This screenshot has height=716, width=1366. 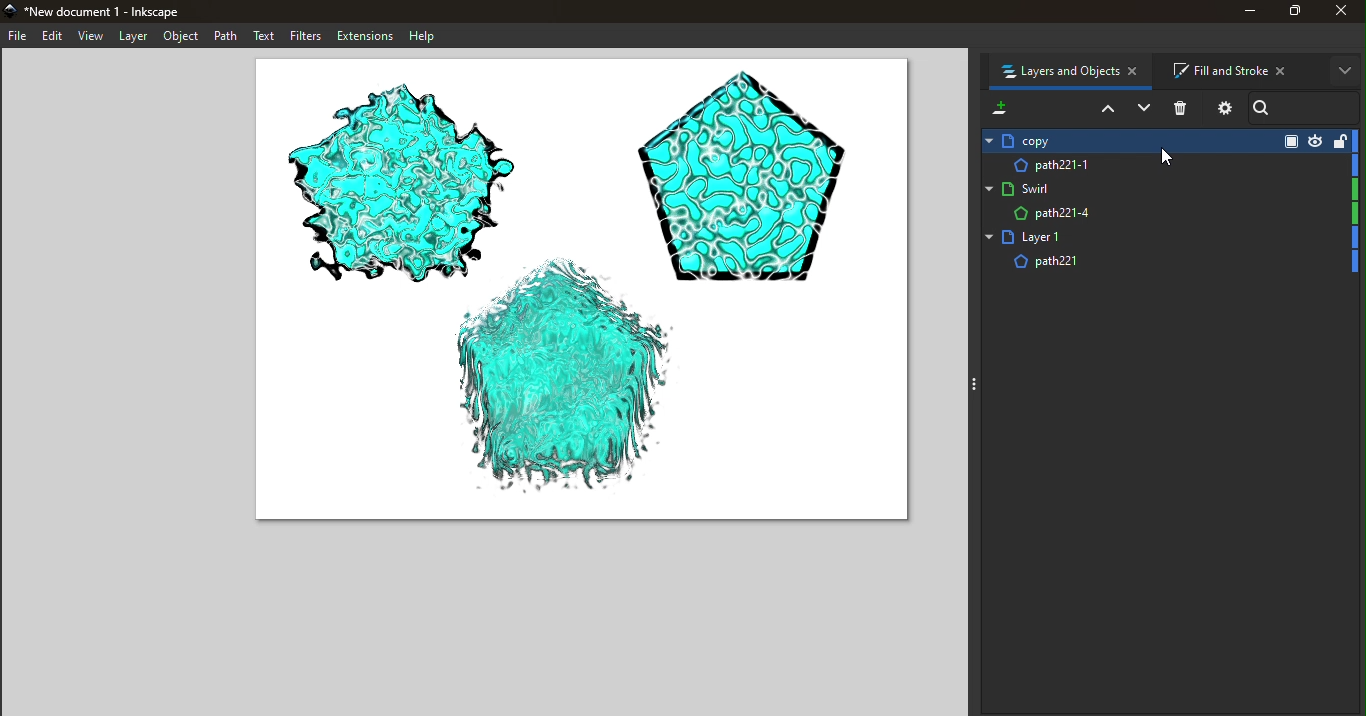 I want to click on View, so click(x=93, y=38).